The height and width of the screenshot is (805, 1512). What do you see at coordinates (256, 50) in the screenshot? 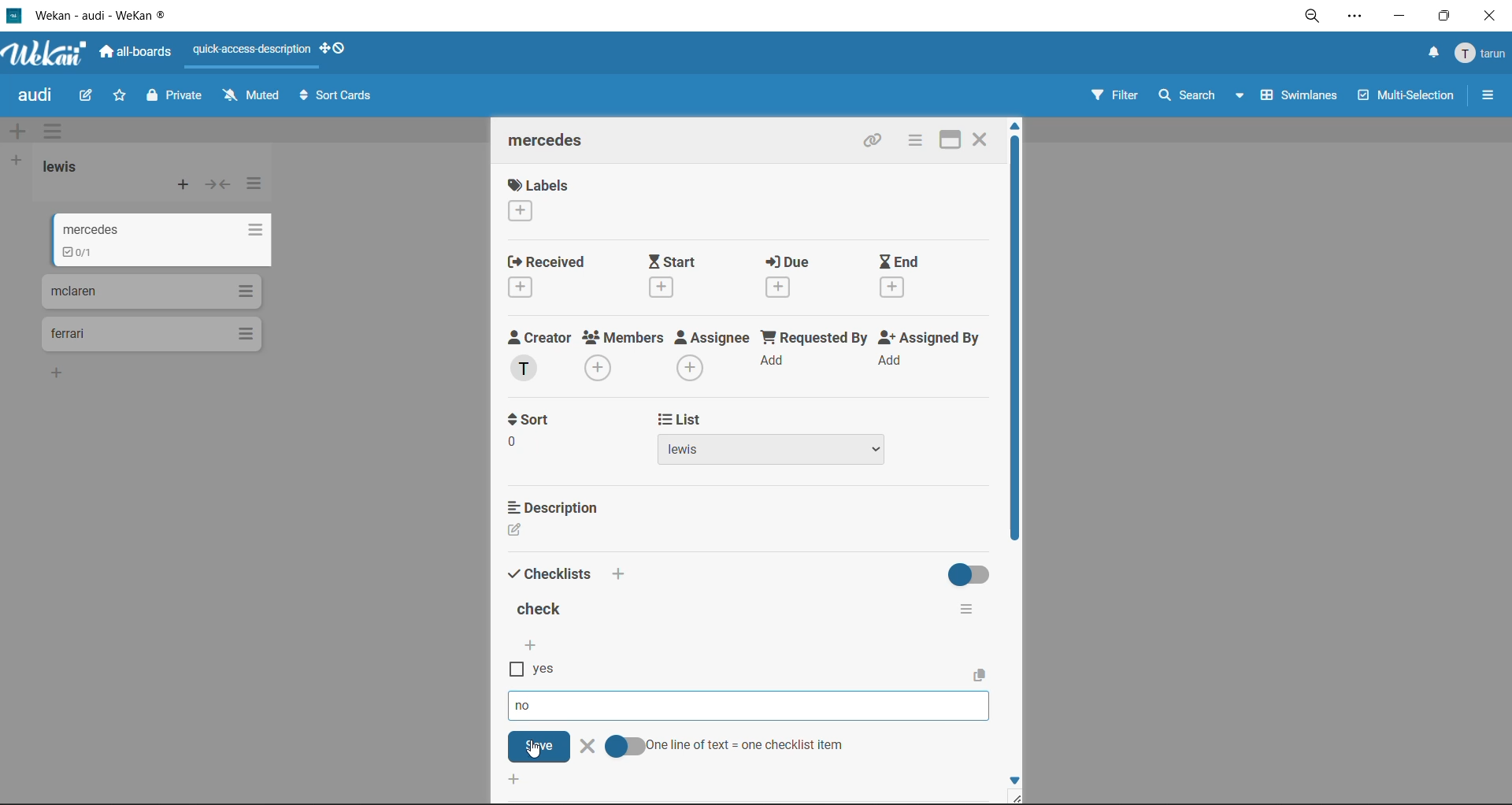
I see `quick access description` at bounding box center [256, 50].